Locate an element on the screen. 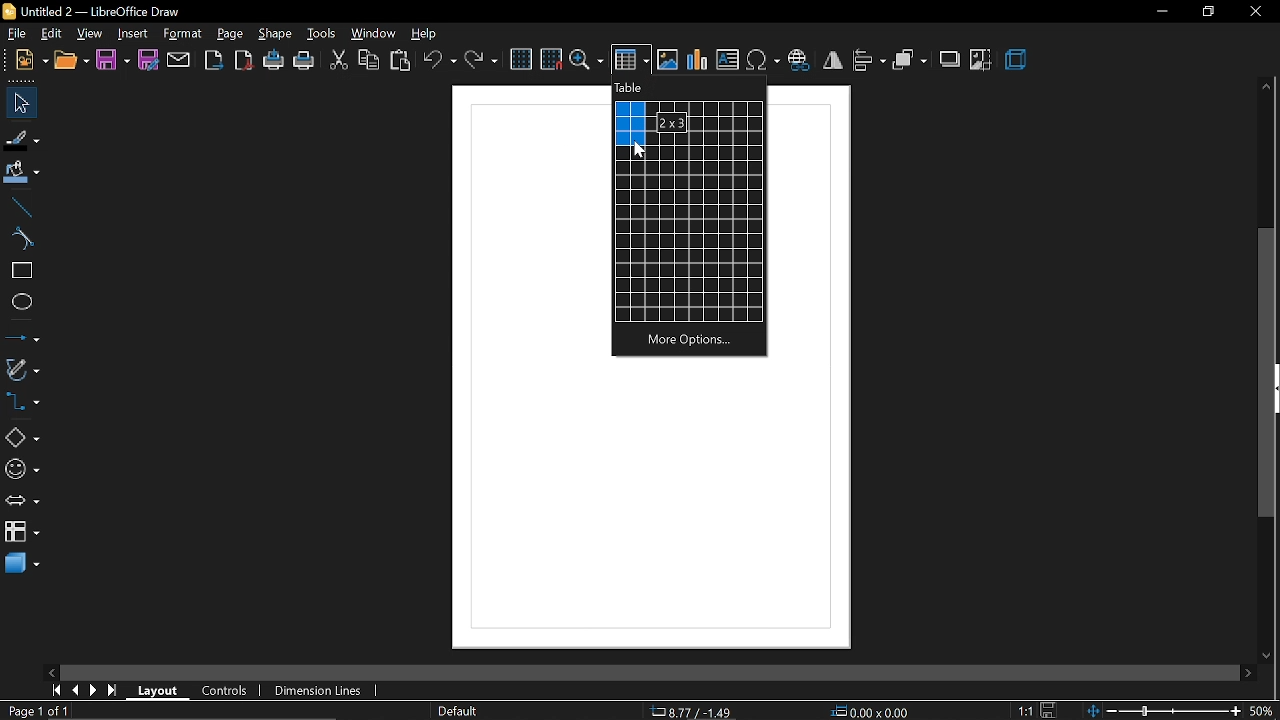 The width and height of the screenshot is (1280, 720). cursor is located at coordinates (639, 149).